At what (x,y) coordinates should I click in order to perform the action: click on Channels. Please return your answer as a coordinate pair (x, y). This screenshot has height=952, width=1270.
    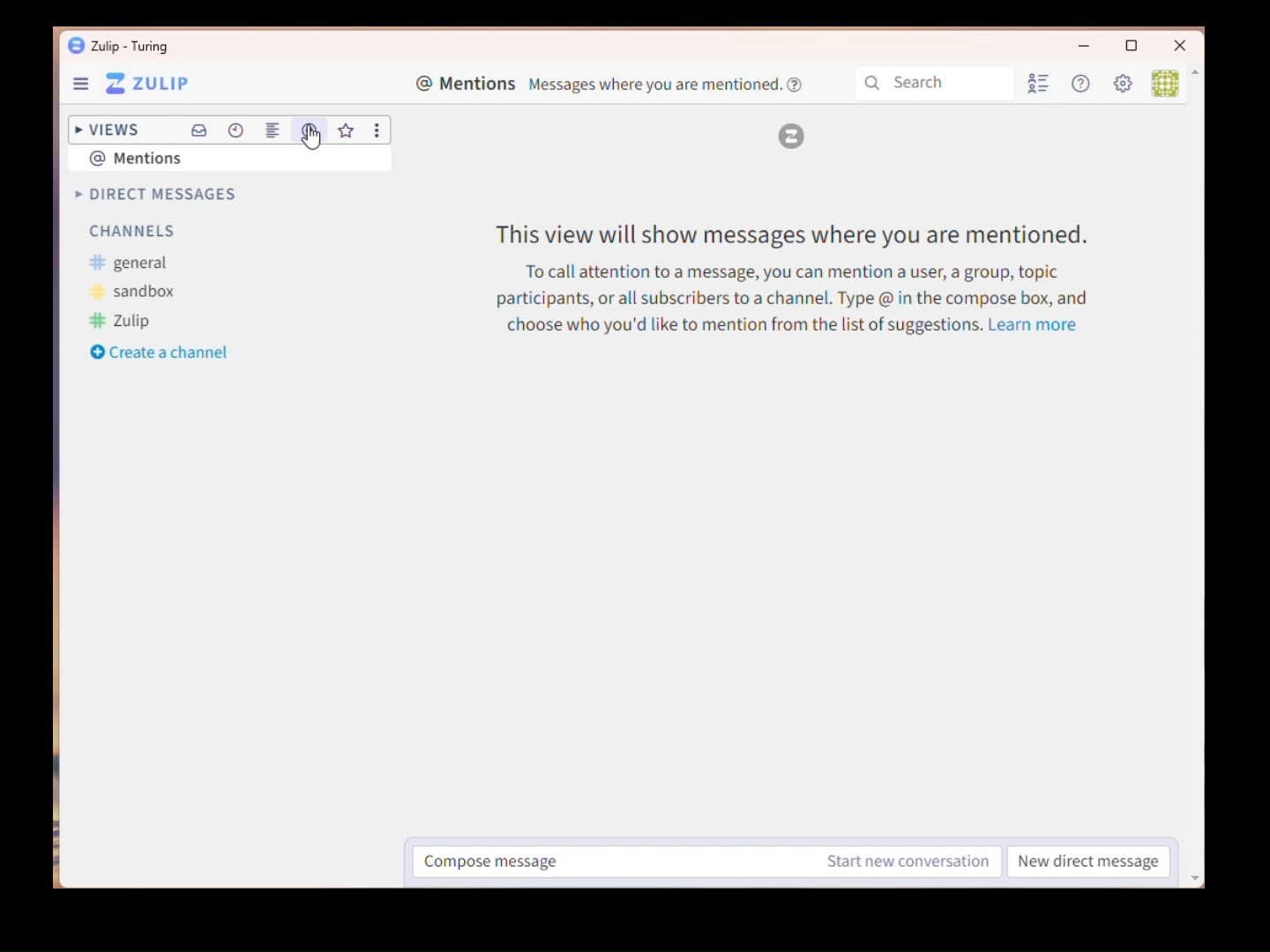
    Looking at the image, I should click on (132, 234).